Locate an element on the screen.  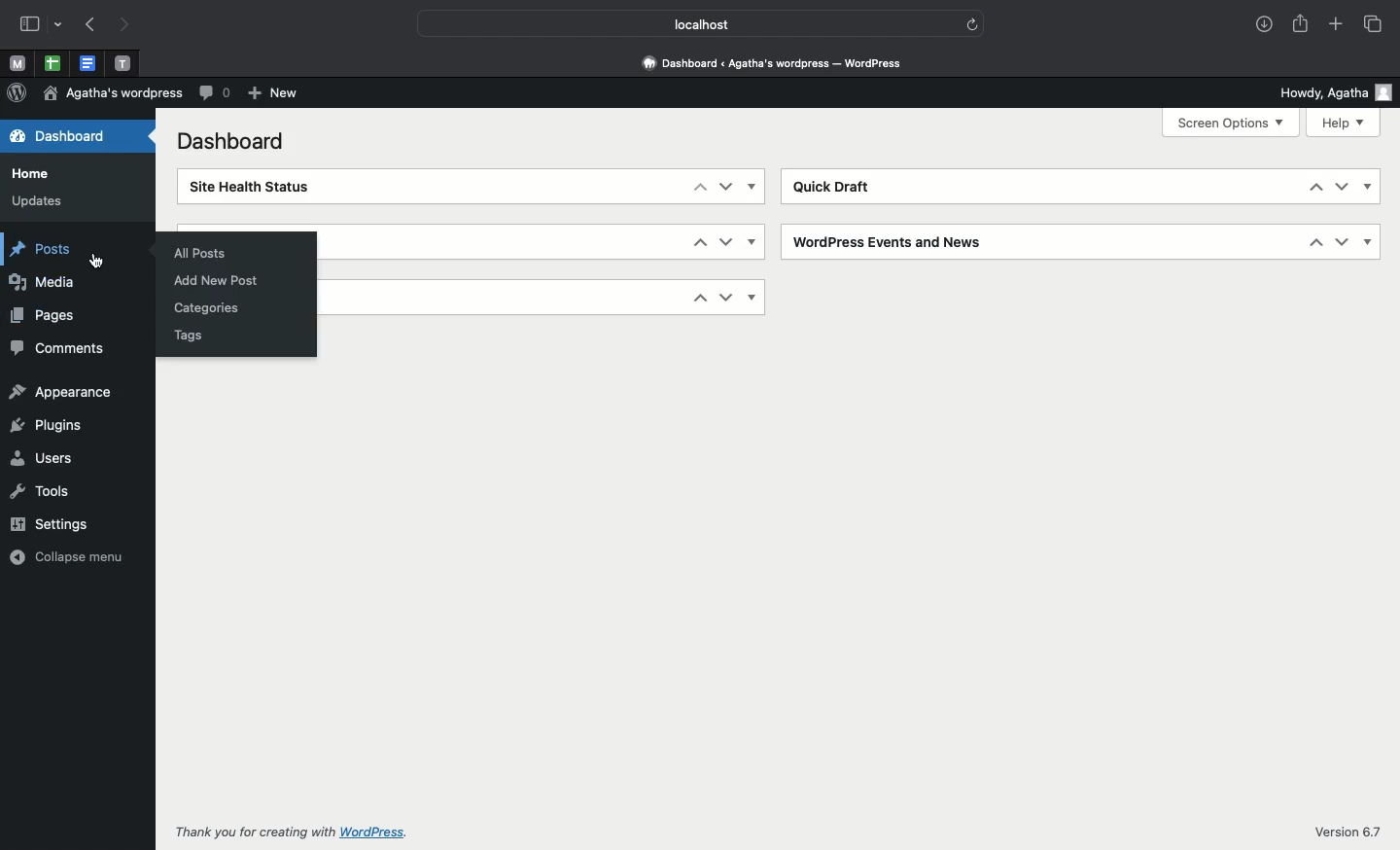
Sidebar is located at coordinates (31, 25).